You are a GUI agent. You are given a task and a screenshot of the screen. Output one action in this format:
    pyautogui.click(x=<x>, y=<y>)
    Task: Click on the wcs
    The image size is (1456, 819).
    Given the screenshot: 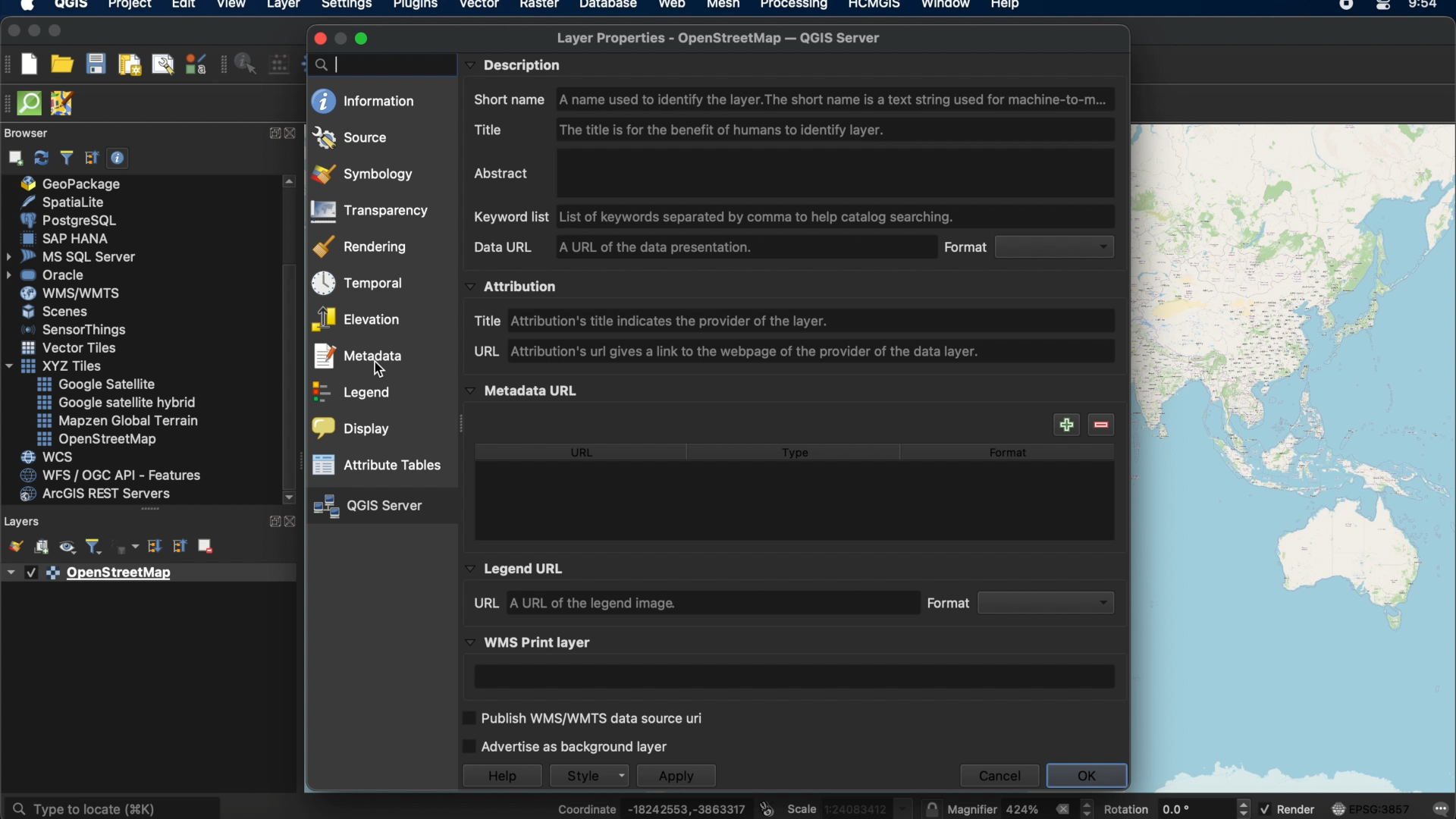 What is the action you would take?
    pyautogui.click(x=47, y=457)
    